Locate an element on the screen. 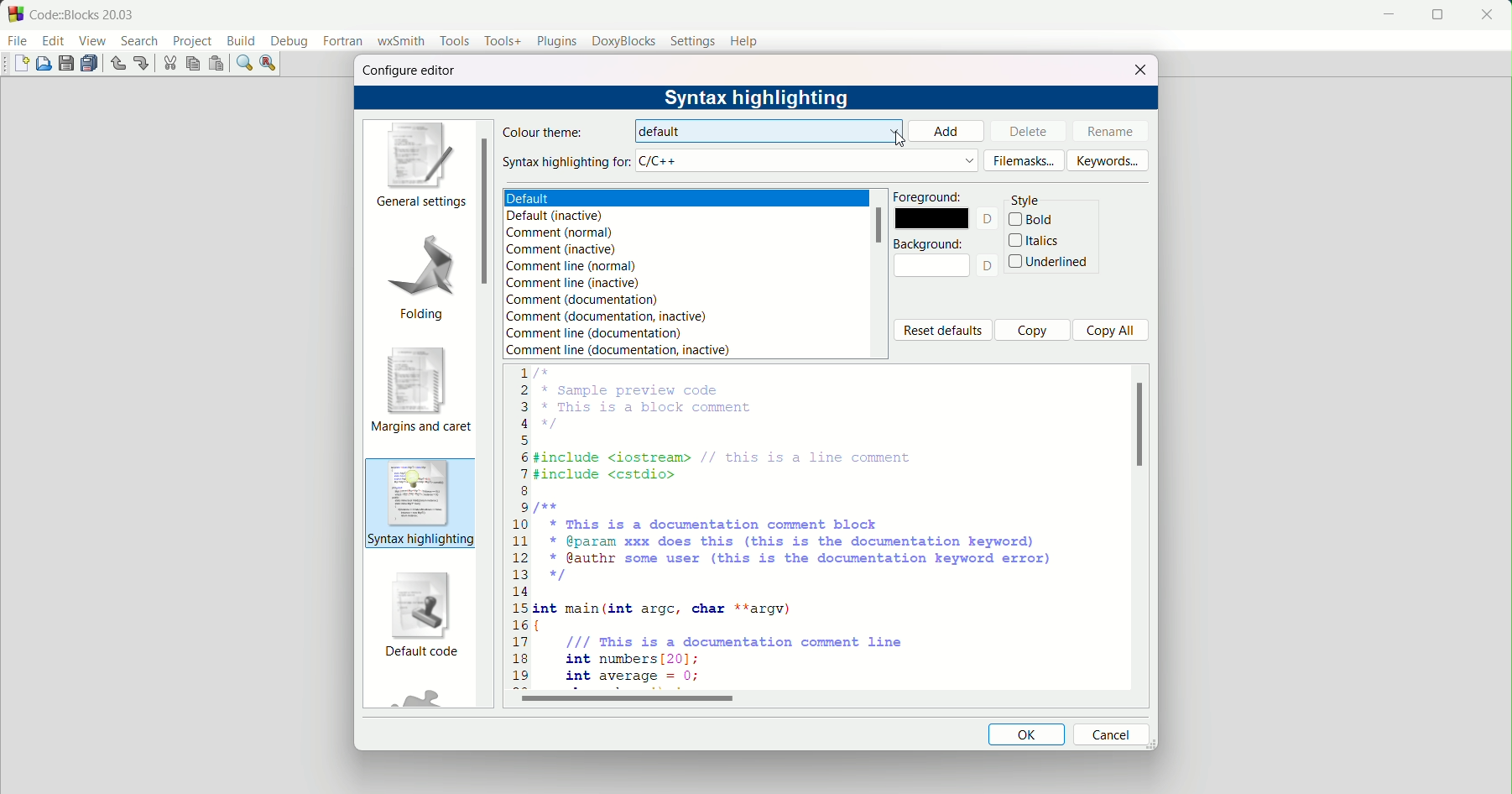 The width and height of the screenshot is (1512, 794). cut is located at coordinates (169, 64).